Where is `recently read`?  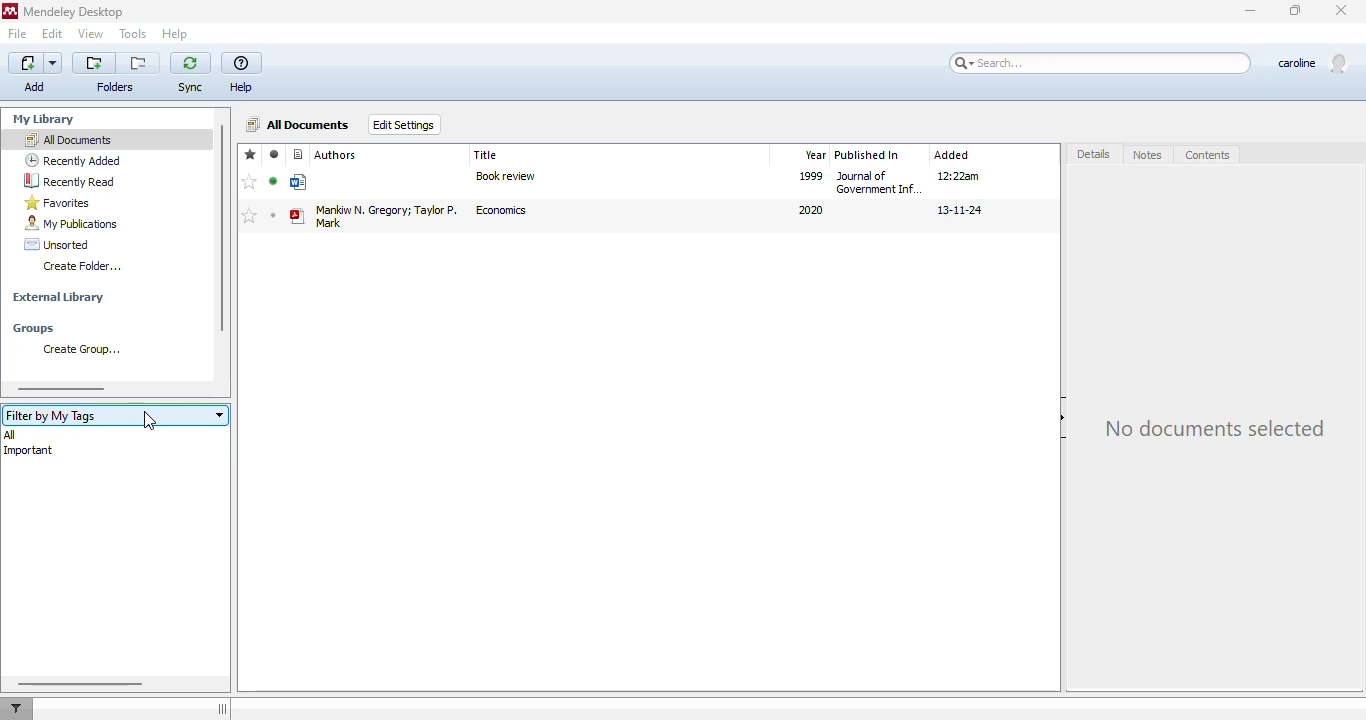
recently read is located at coordinates (72, 181).